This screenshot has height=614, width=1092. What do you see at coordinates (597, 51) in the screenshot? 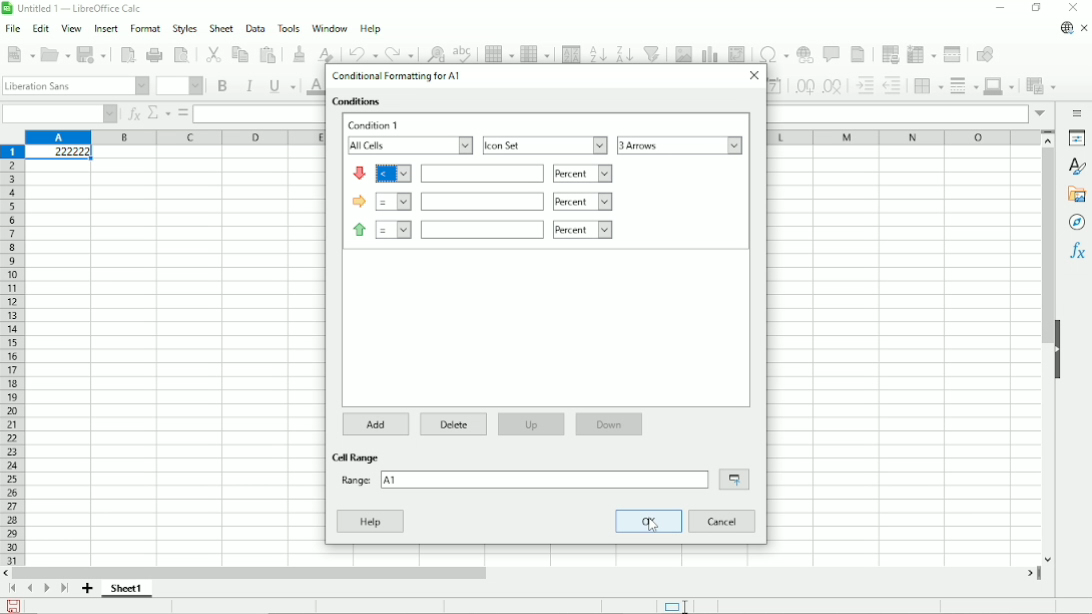
I see `Sort ascending` at bounding box center [597, 51].